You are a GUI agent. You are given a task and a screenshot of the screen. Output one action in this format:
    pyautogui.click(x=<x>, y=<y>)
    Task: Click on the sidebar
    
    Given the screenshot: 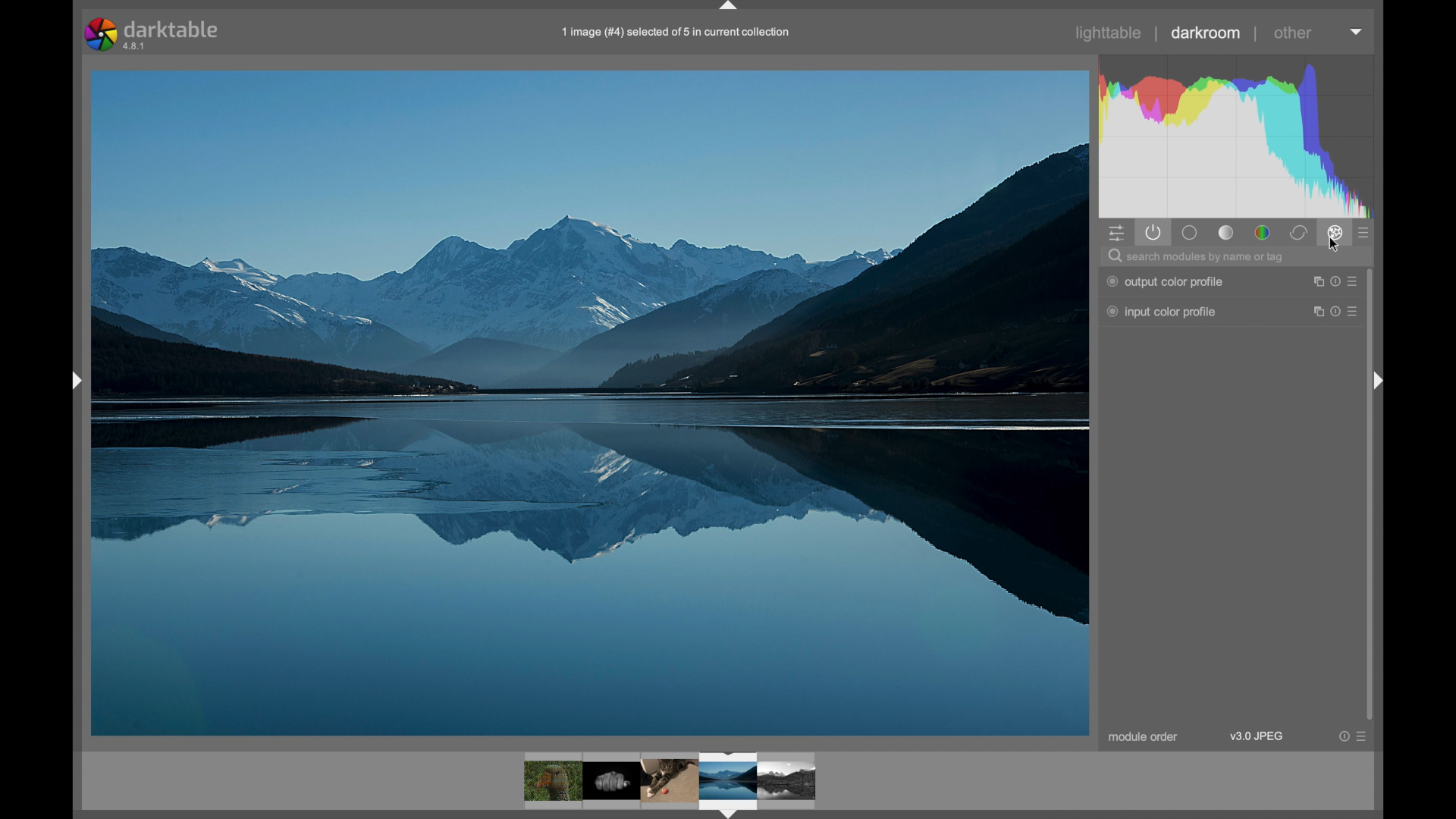 What is the action you would take?
    pyautogui.click(x=1382, y=381)
    